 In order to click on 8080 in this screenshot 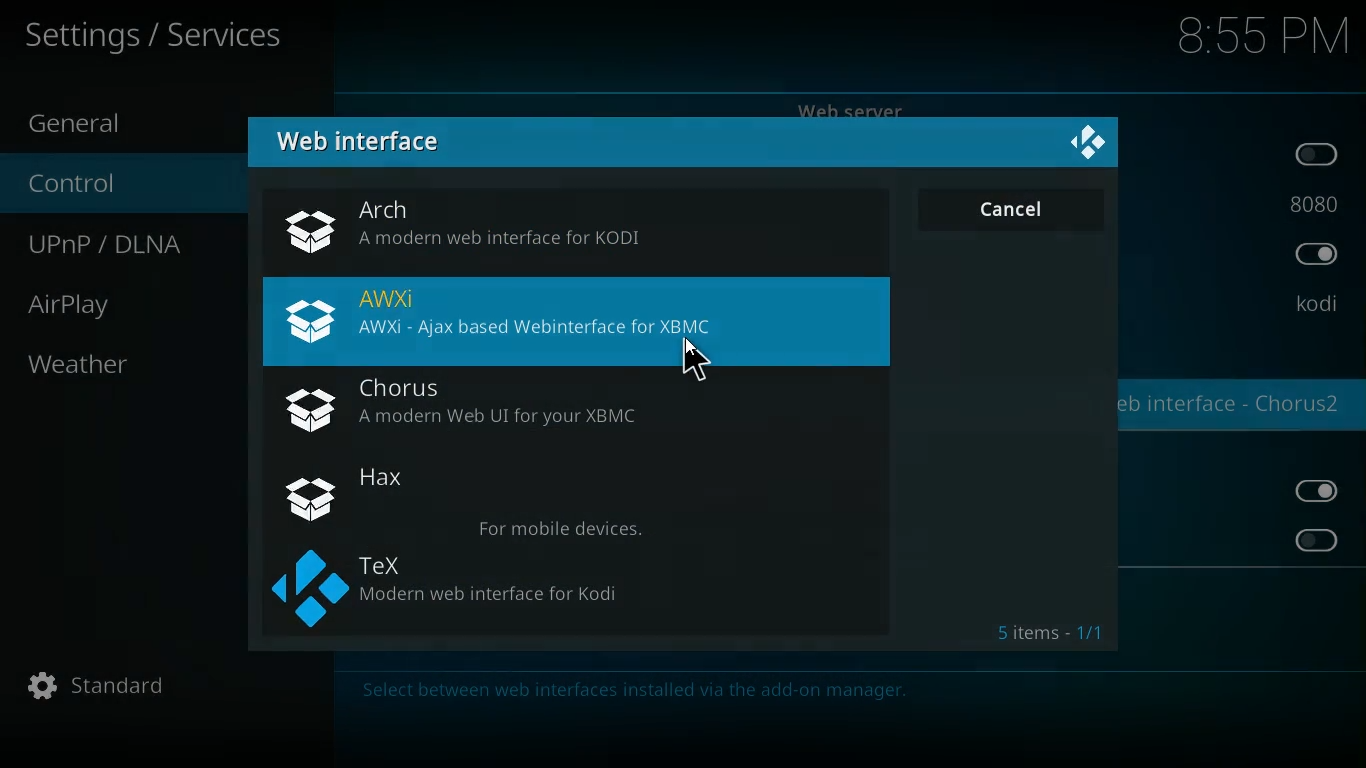, I will do `click(1313, 201)`.